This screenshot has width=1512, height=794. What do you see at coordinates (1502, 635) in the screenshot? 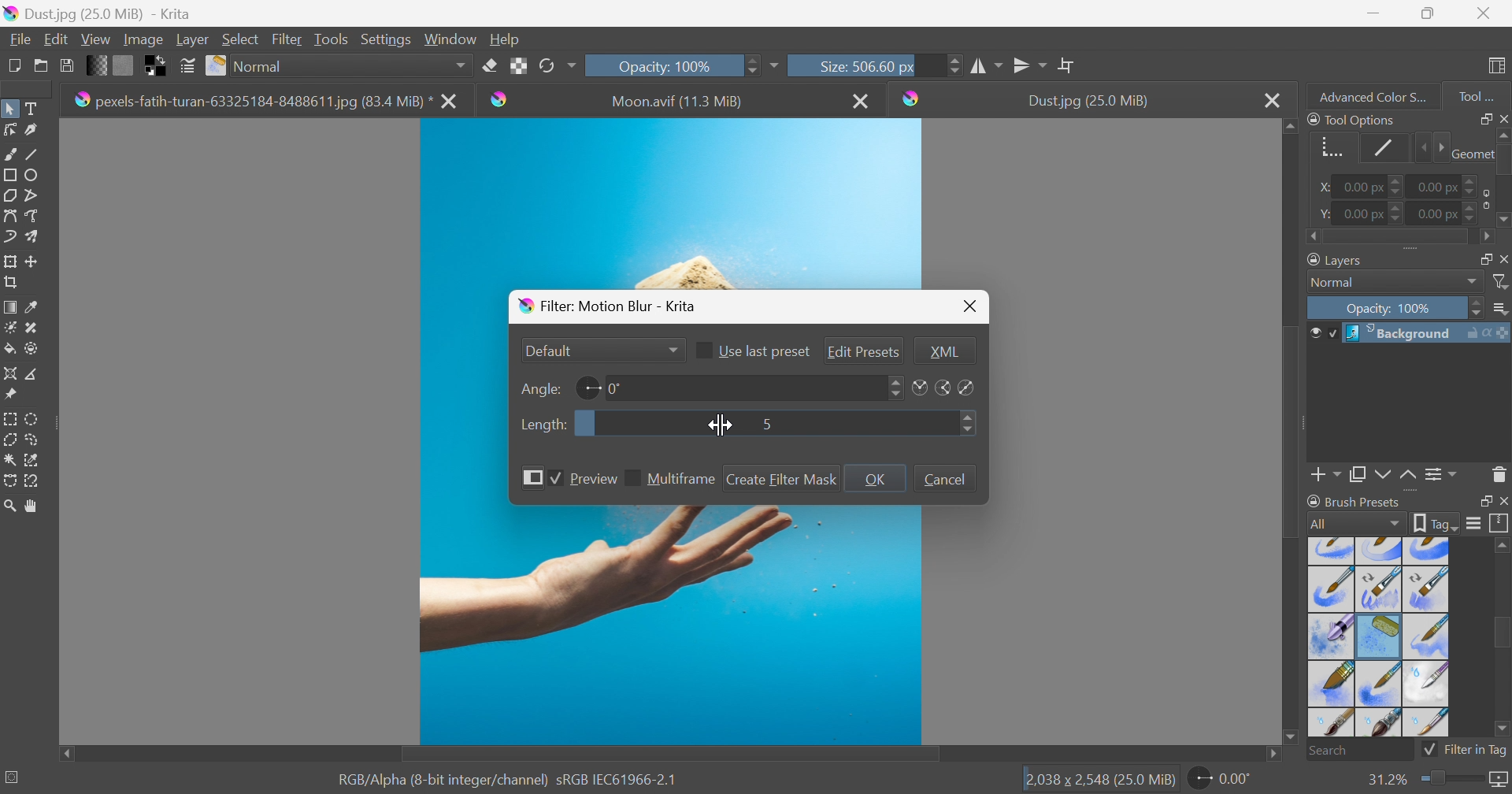
I see `Scroll Bar` at bounding box center [1502, 635].